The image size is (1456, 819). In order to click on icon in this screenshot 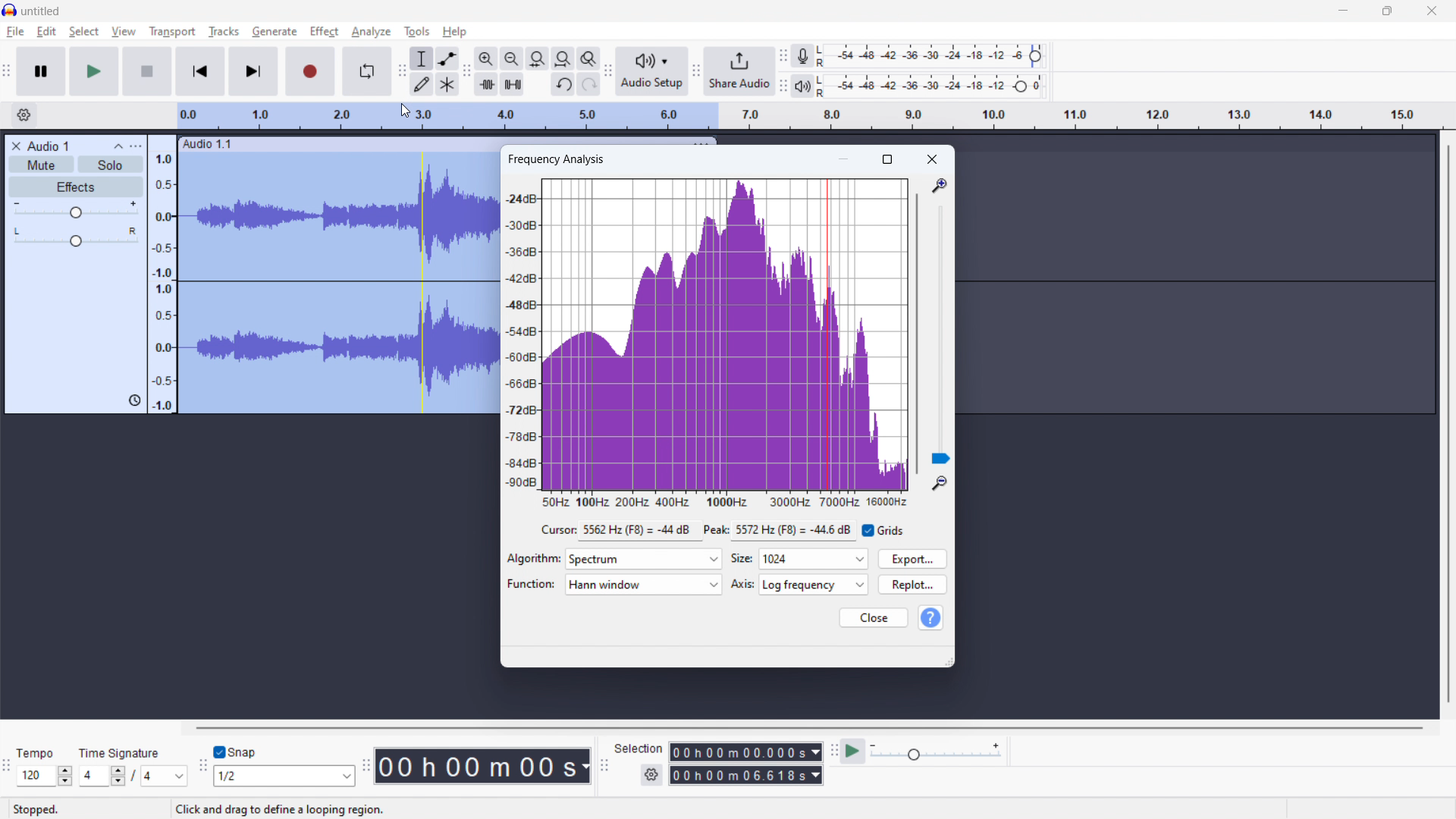, I will do `click(132, 400)`.